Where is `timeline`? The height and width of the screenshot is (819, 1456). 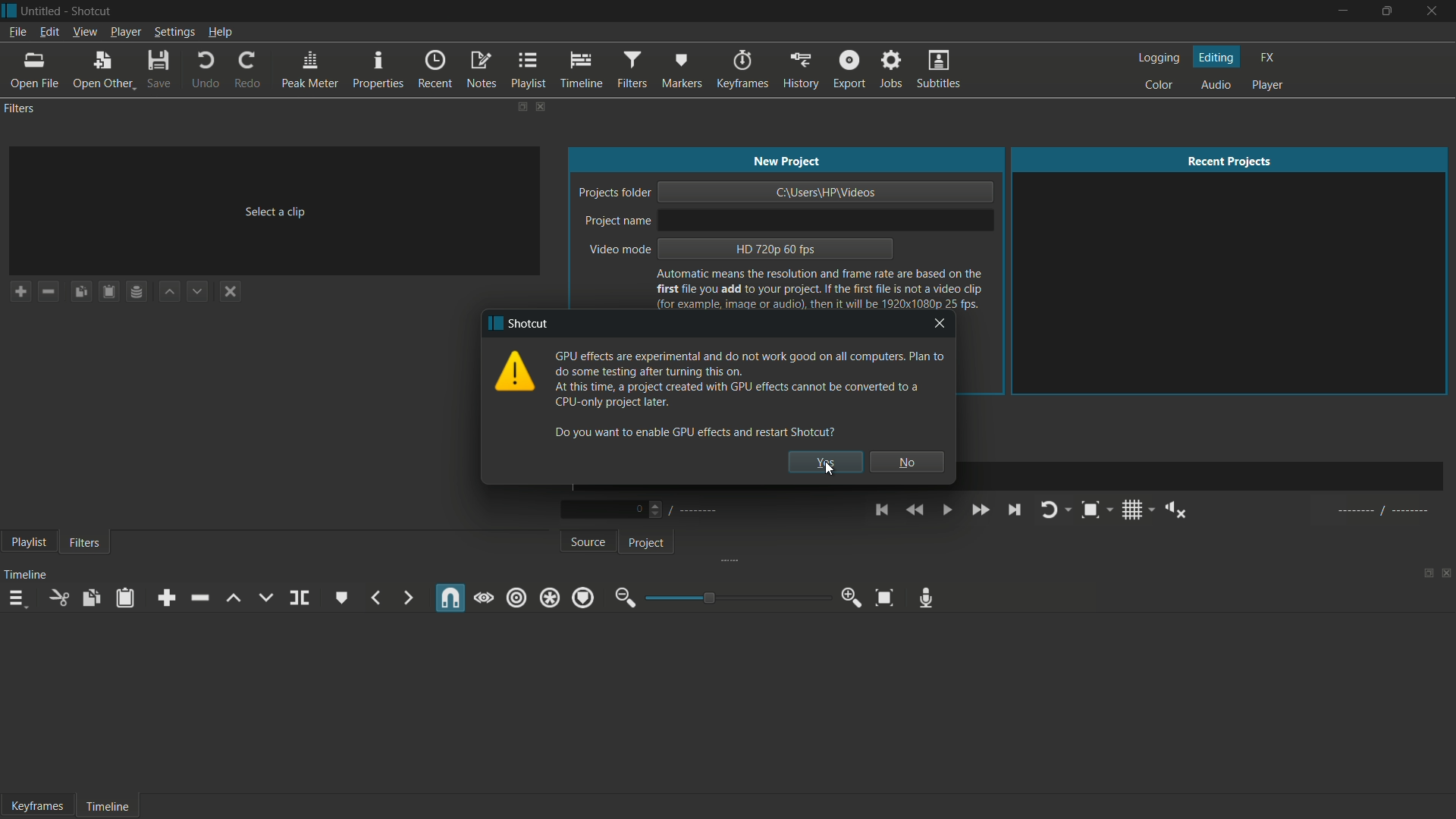 timeline is located at coordinates (580, 70).